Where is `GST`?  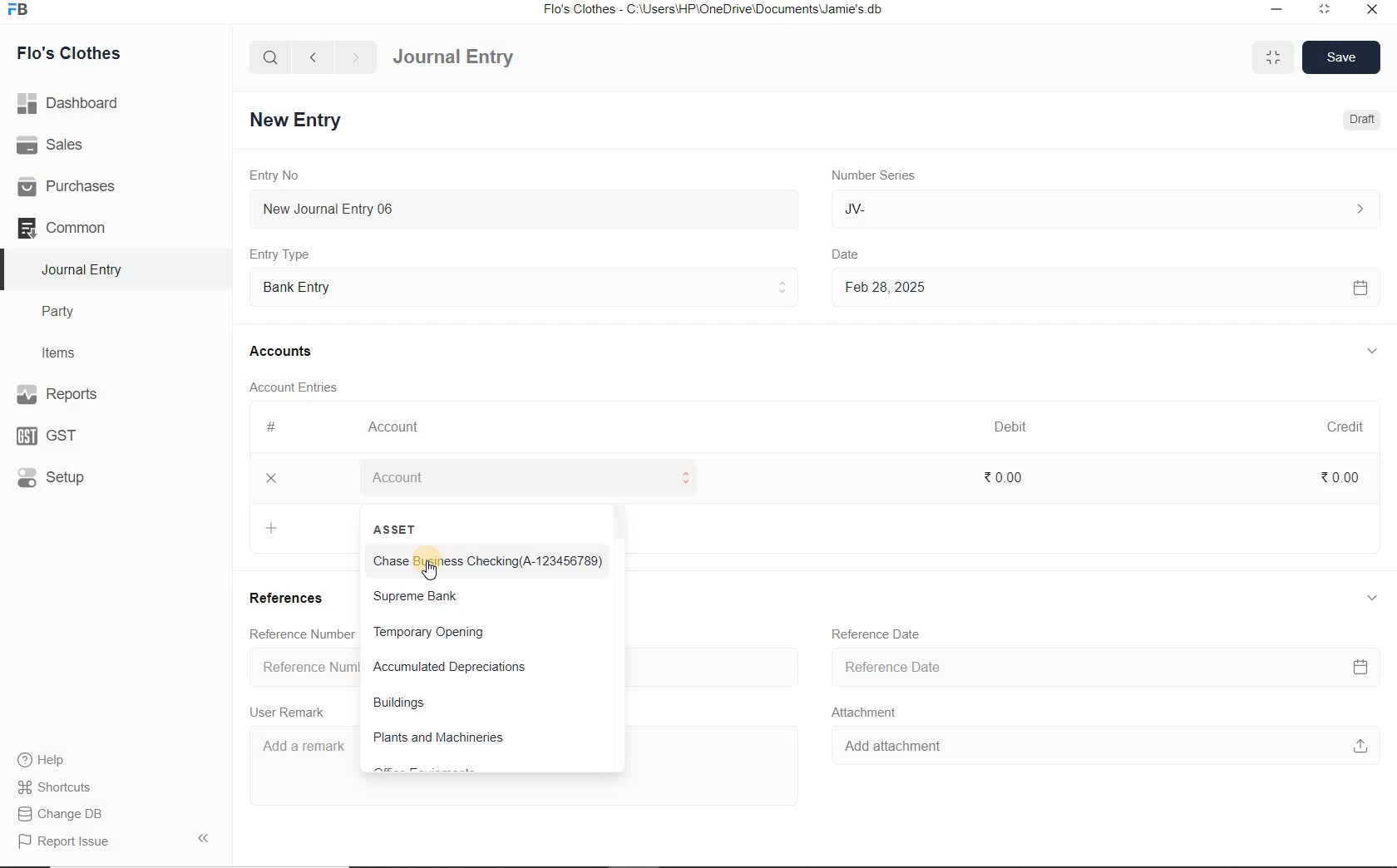 GST is located at coordinates (54, 434).